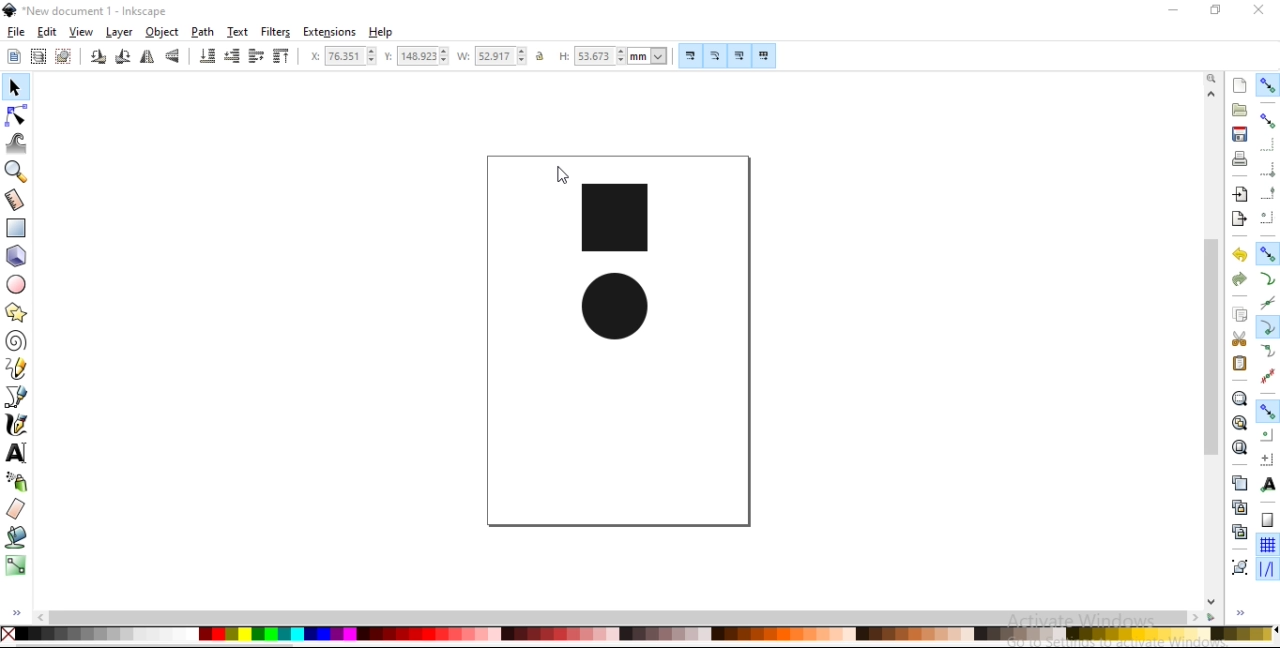  What do you see at coordinates (172, 58) in the screenshot?
I see `flip vertical` at bounding box center [172, 58].